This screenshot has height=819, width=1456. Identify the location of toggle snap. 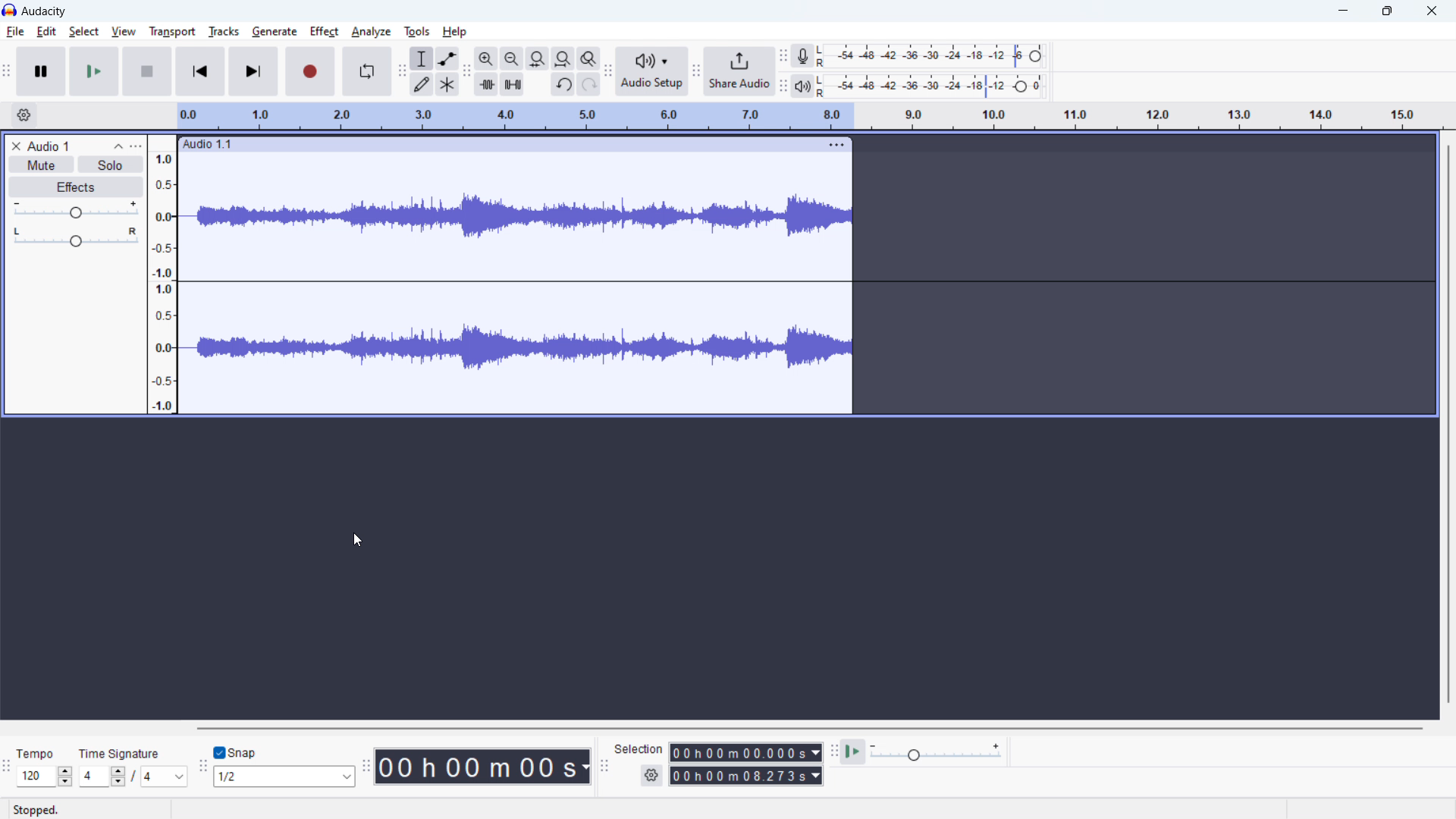
(236, 752).